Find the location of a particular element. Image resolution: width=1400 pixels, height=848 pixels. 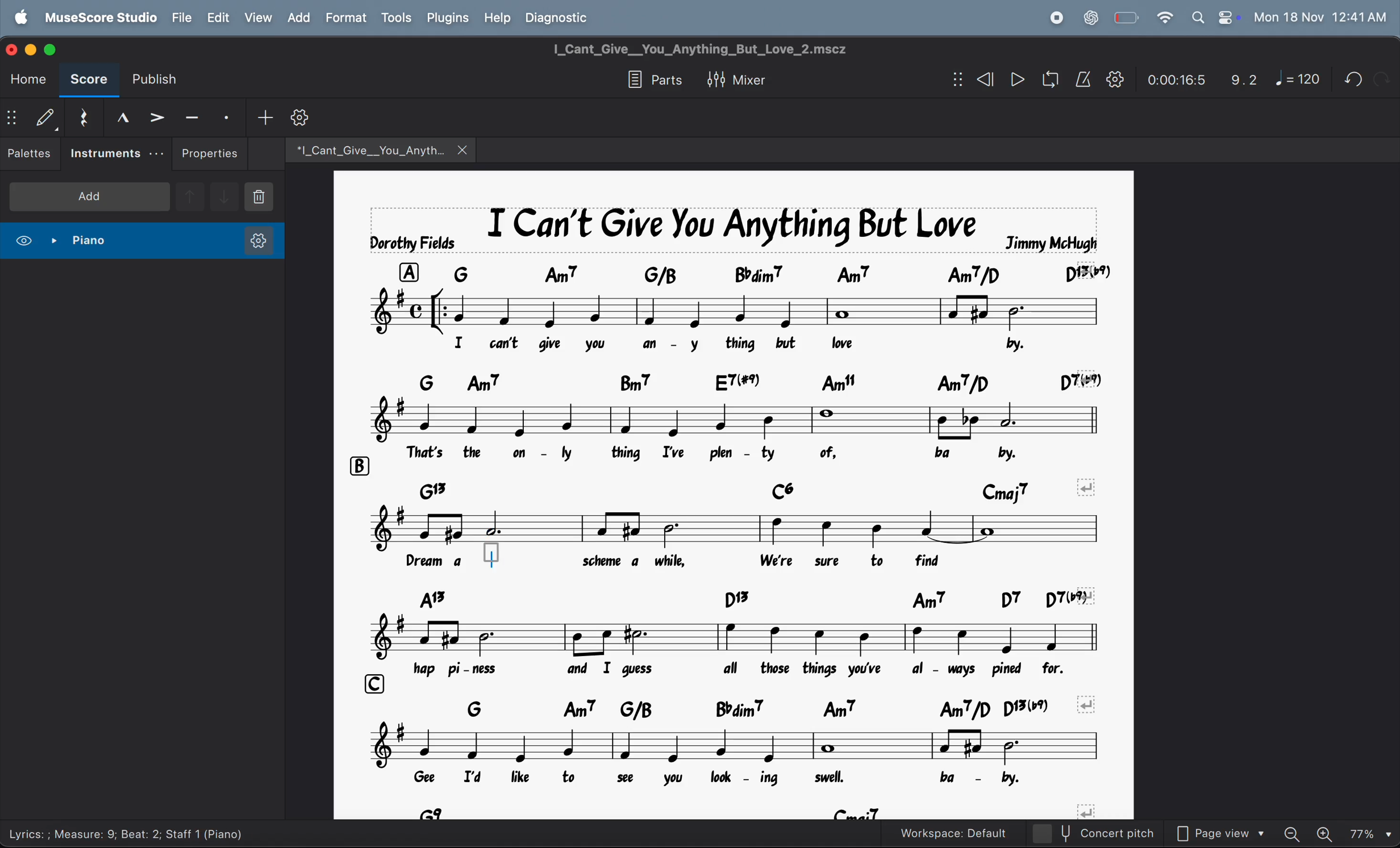

home is located at coordinates (28, 80).